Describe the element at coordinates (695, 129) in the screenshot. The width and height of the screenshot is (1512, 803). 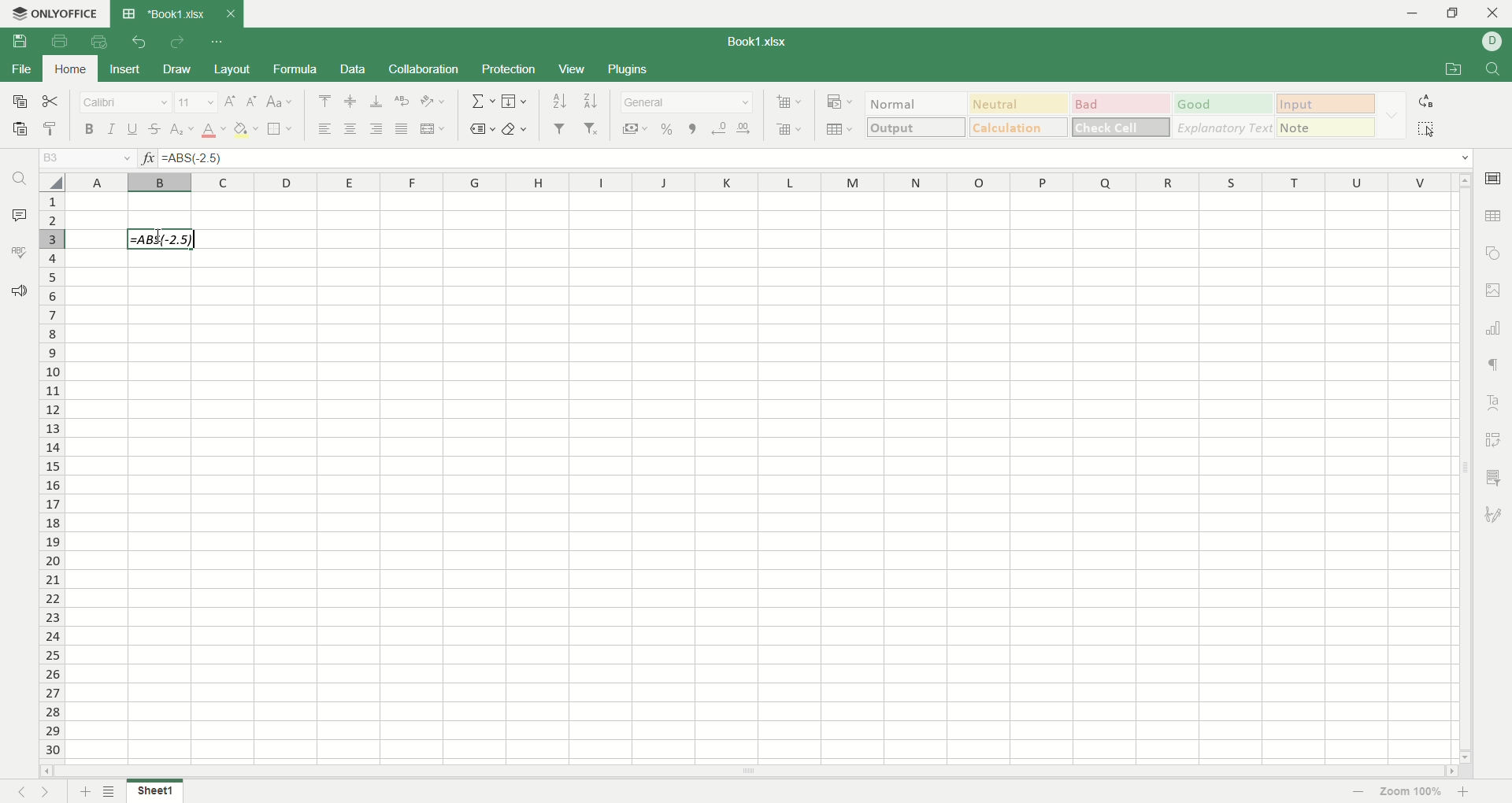
I see `comma style` at that location.